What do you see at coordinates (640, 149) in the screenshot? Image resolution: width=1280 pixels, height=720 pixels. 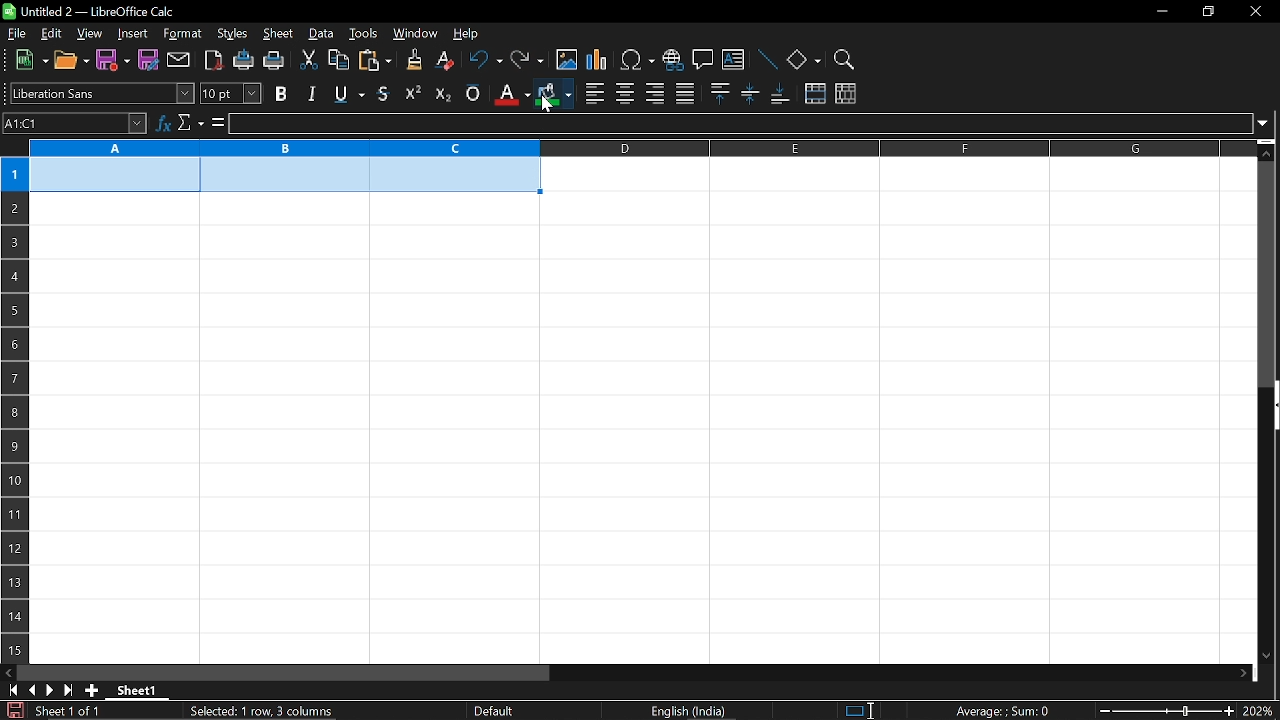 I see `columns` at bounding box center [640, 149].